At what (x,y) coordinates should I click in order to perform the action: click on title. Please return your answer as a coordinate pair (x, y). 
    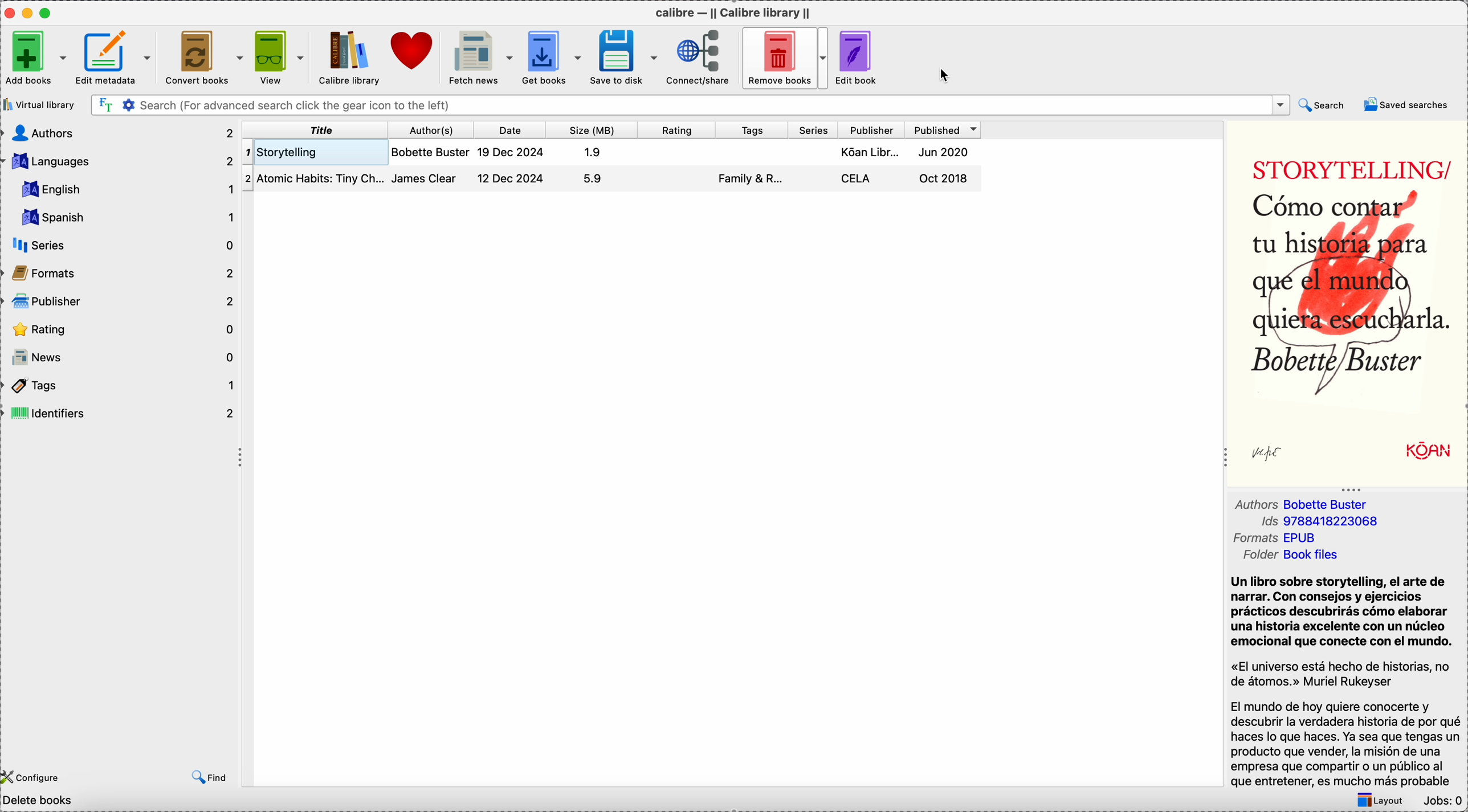
    Looking at the image, I should click on (316, 130).